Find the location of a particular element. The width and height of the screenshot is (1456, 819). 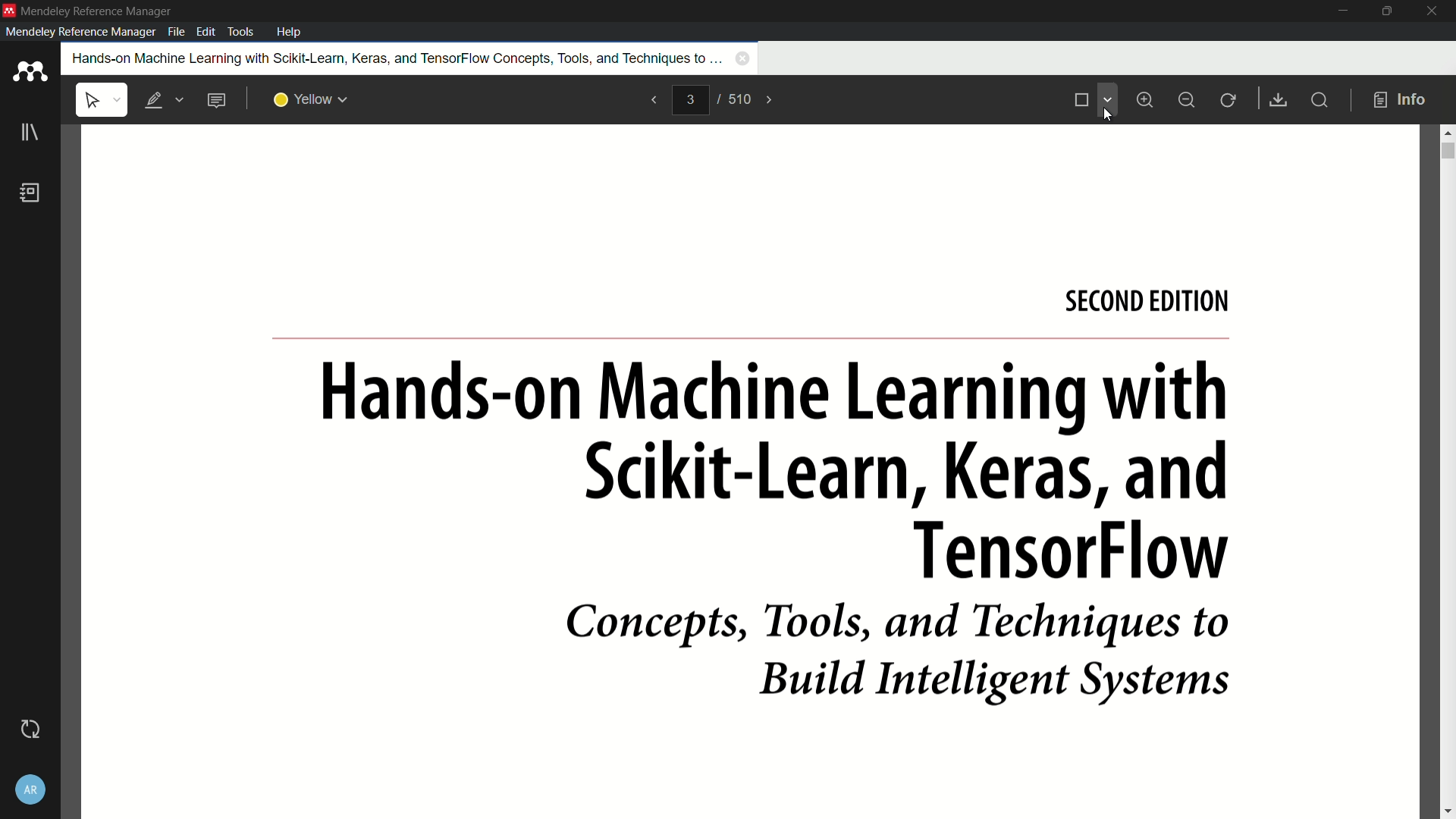

edit menu is located at coordinates (206, 32).